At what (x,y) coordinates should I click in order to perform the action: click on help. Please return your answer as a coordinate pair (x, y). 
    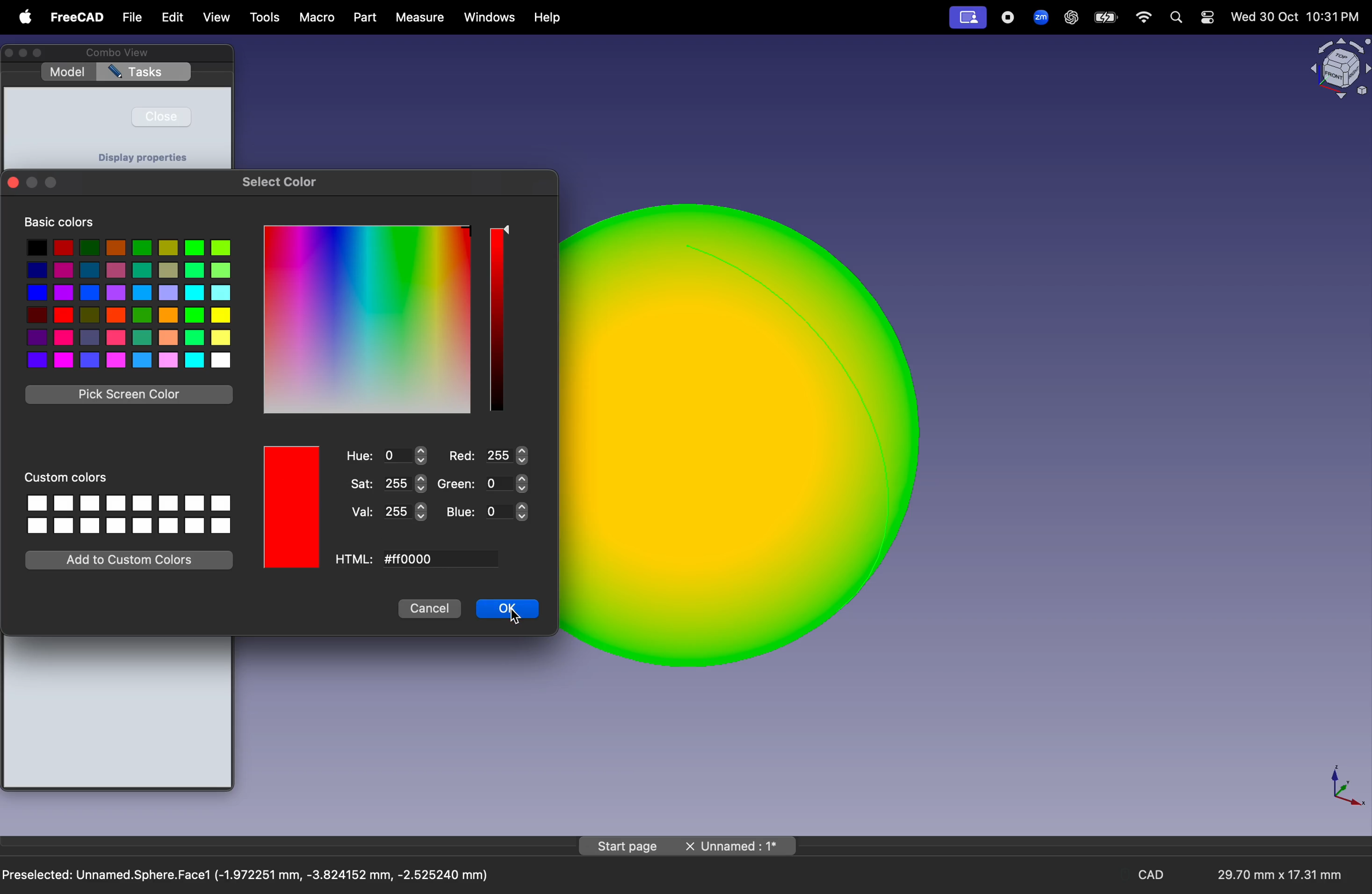
    Looking at the image, I should click on (549, 18).